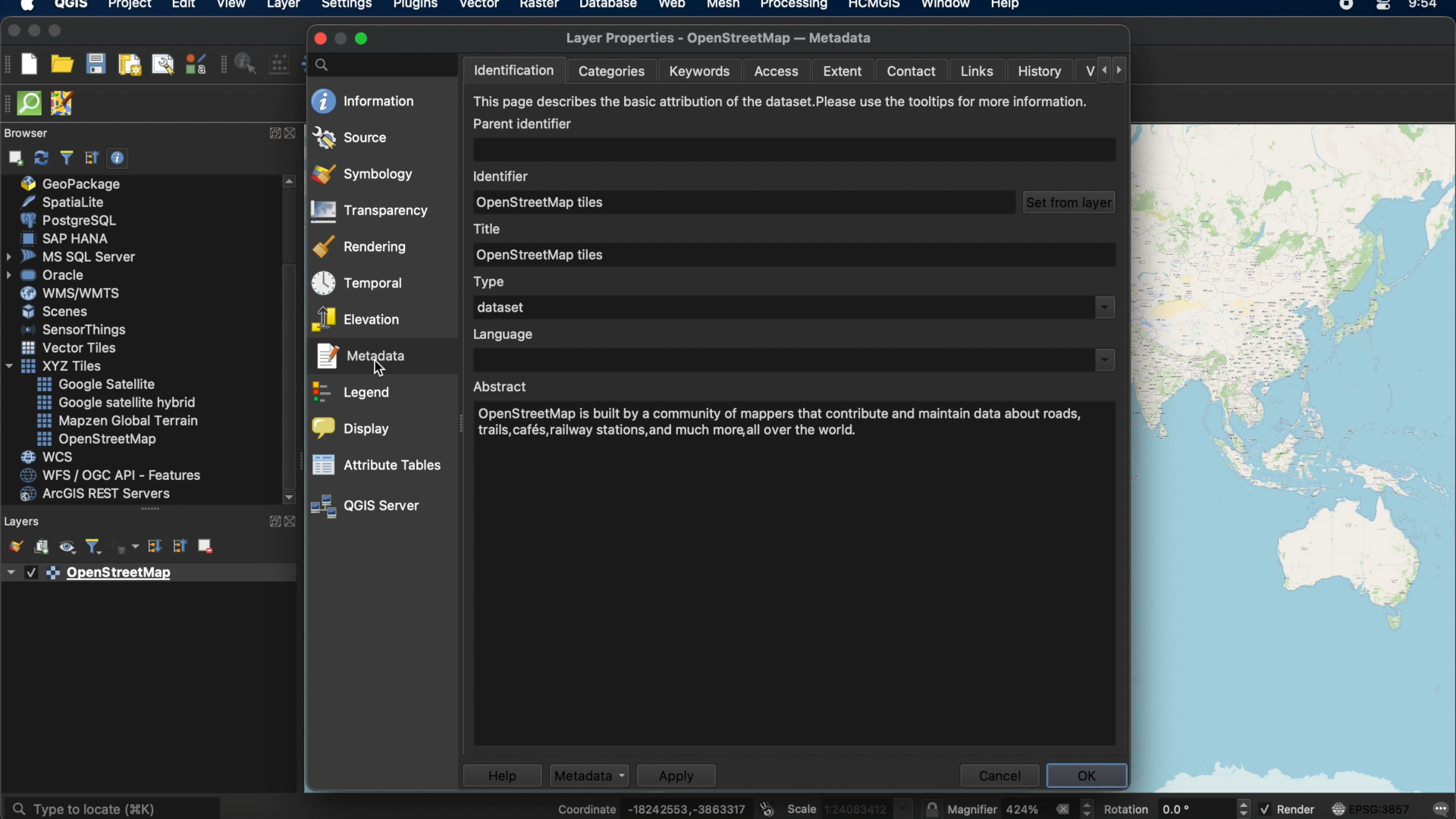  I want to click on categories, so click(613, 72).